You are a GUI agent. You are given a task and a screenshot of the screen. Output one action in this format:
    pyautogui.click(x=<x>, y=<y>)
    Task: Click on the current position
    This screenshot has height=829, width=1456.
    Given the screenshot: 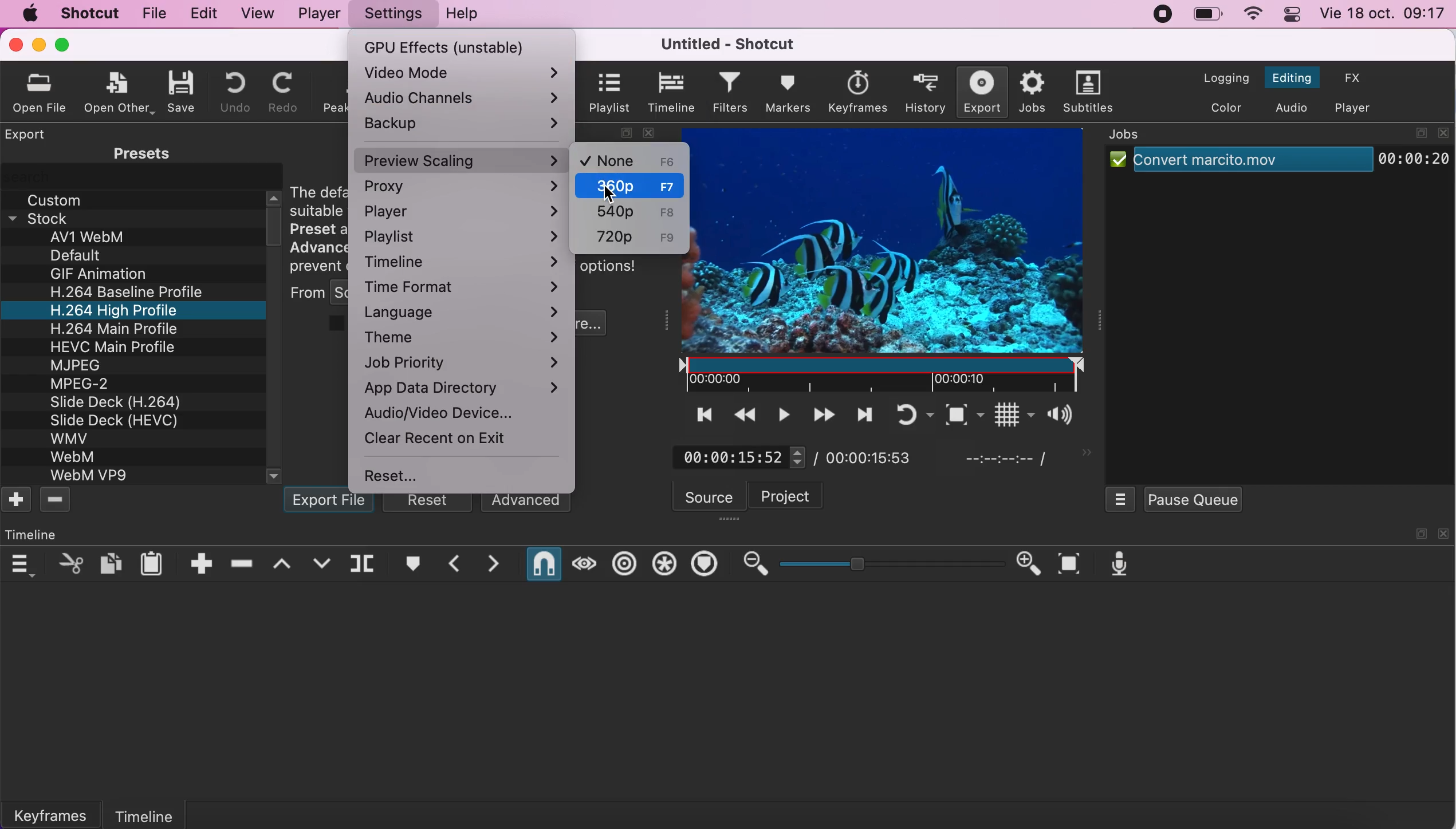 What is the action you would take?
    pyautogui.click(x=736, y=456)
    